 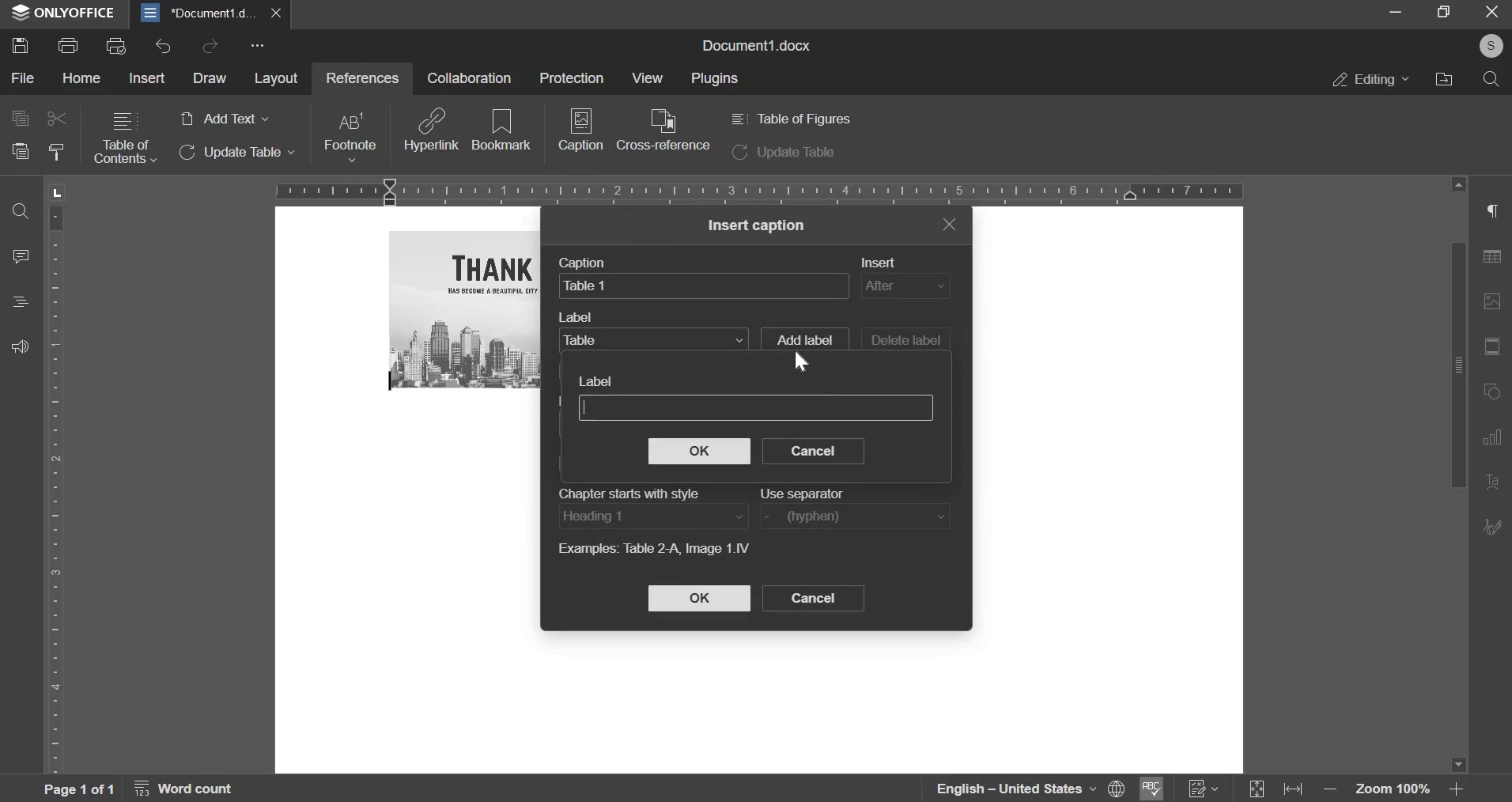 I want to click on minimize, so click(x=1396, y=13).